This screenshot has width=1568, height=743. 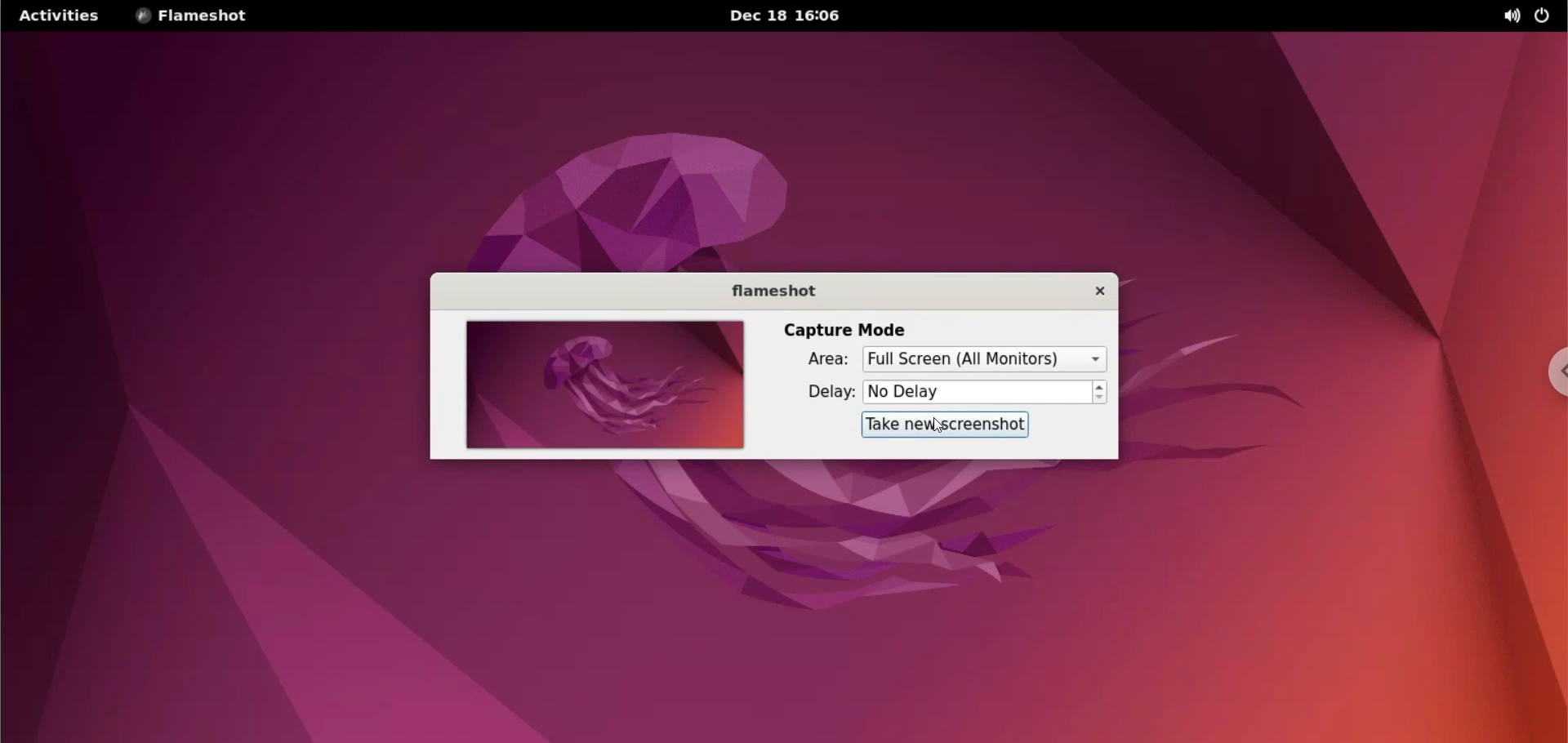 I want to click on close, so click(x=1097, y=292).